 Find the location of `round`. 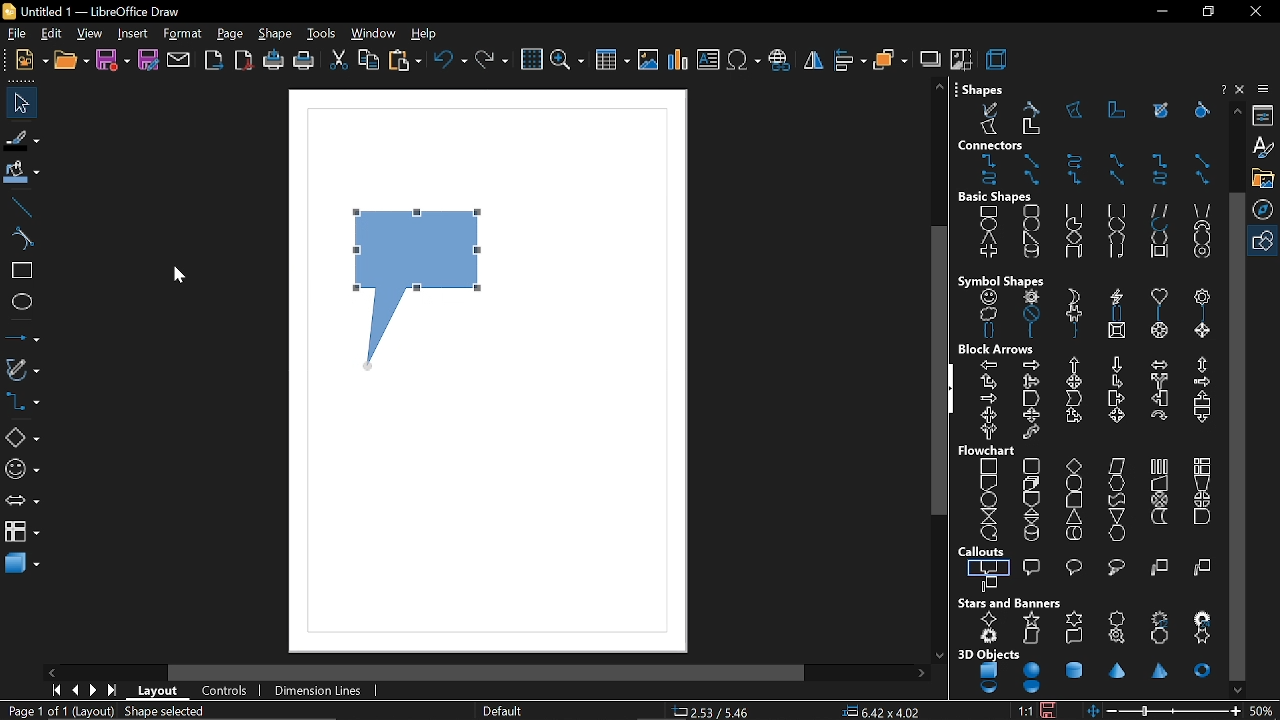

round is located at coordinates (1076, 566).